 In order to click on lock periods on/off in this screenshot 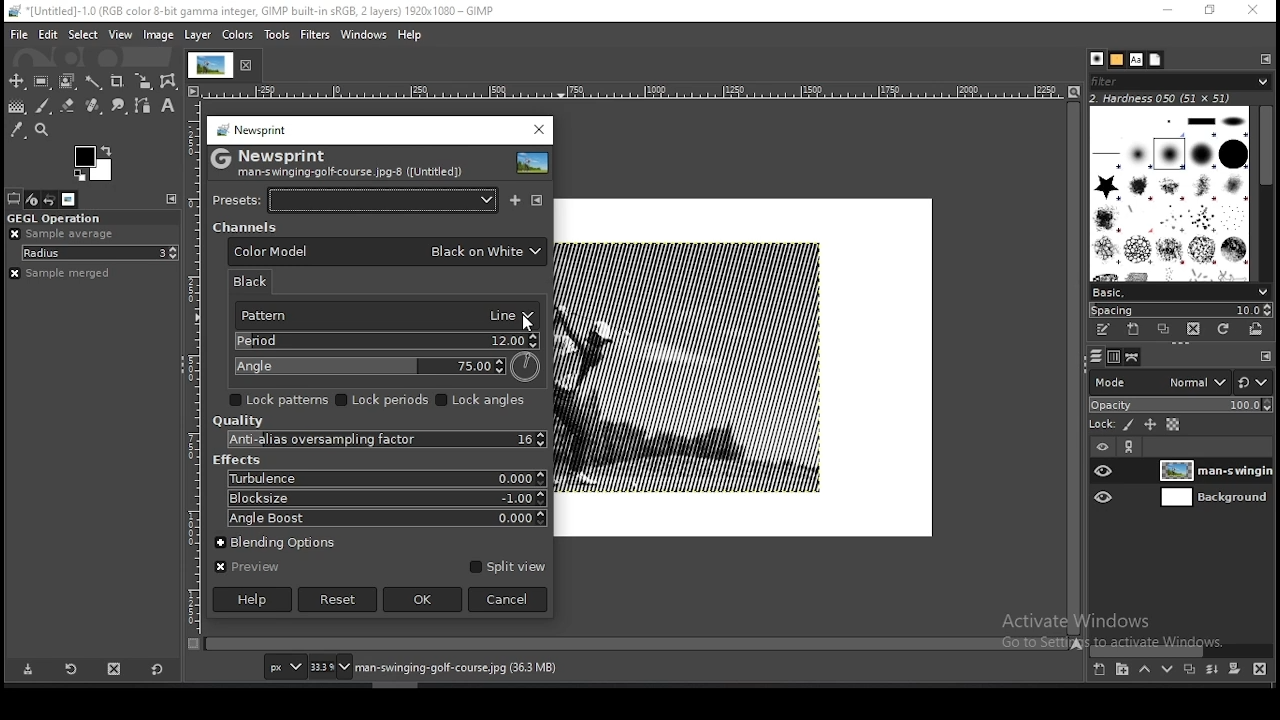, I will do `click(384, 400)`.